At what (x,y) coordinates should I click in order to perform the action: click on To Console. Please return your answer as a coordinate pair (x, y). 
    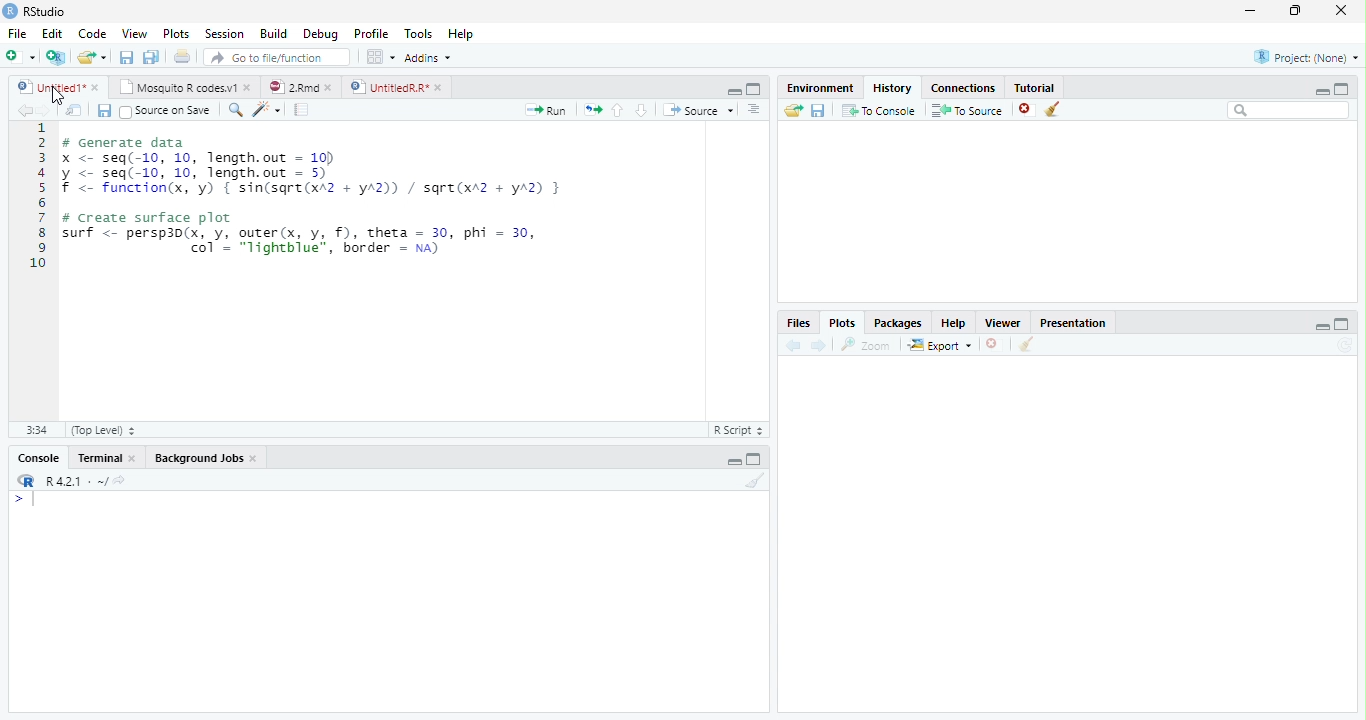
    Looking at the image, I should click on (879, 110).